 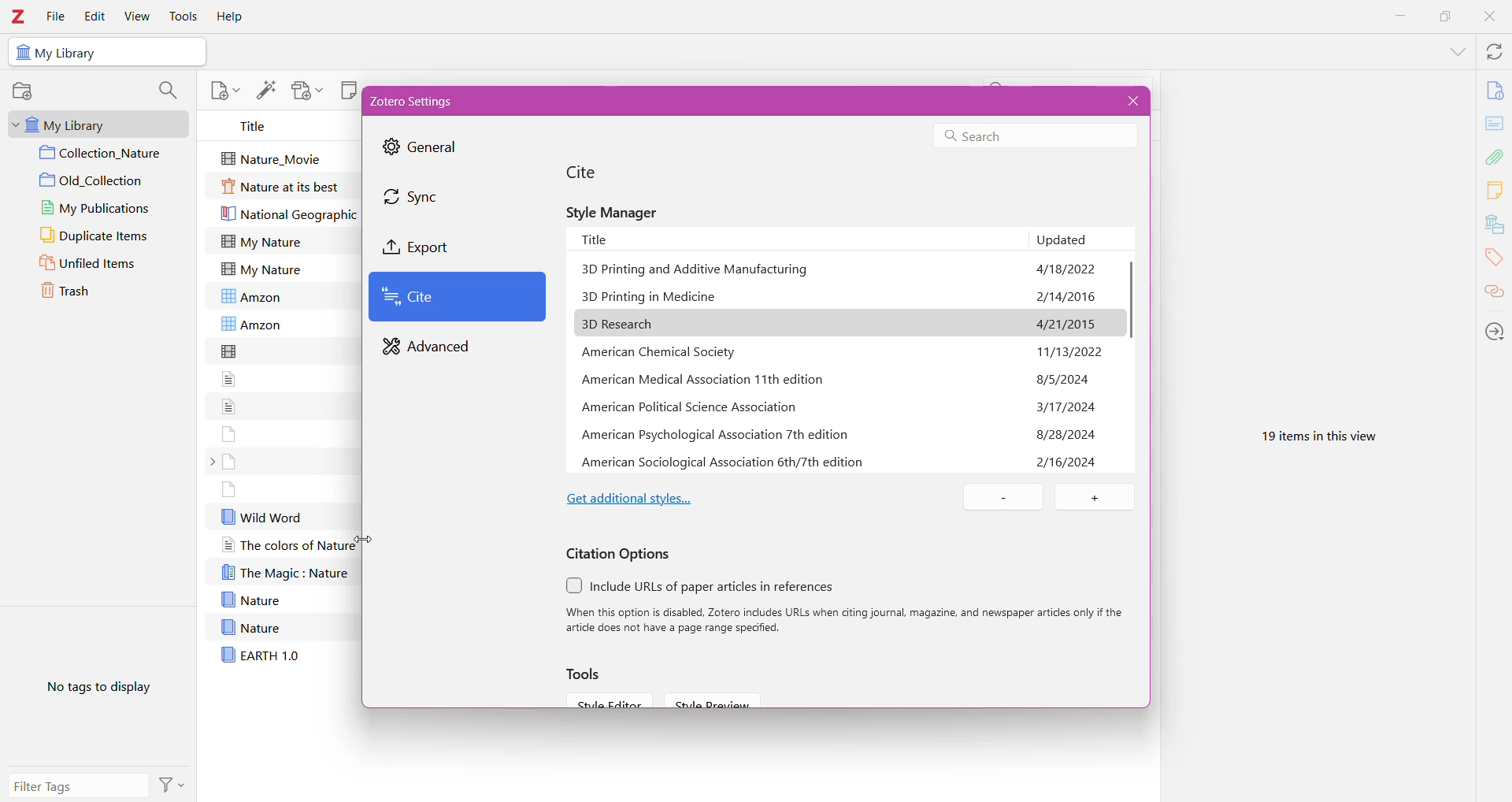 I want to click on Collection 2, so click(x=105, y=180).